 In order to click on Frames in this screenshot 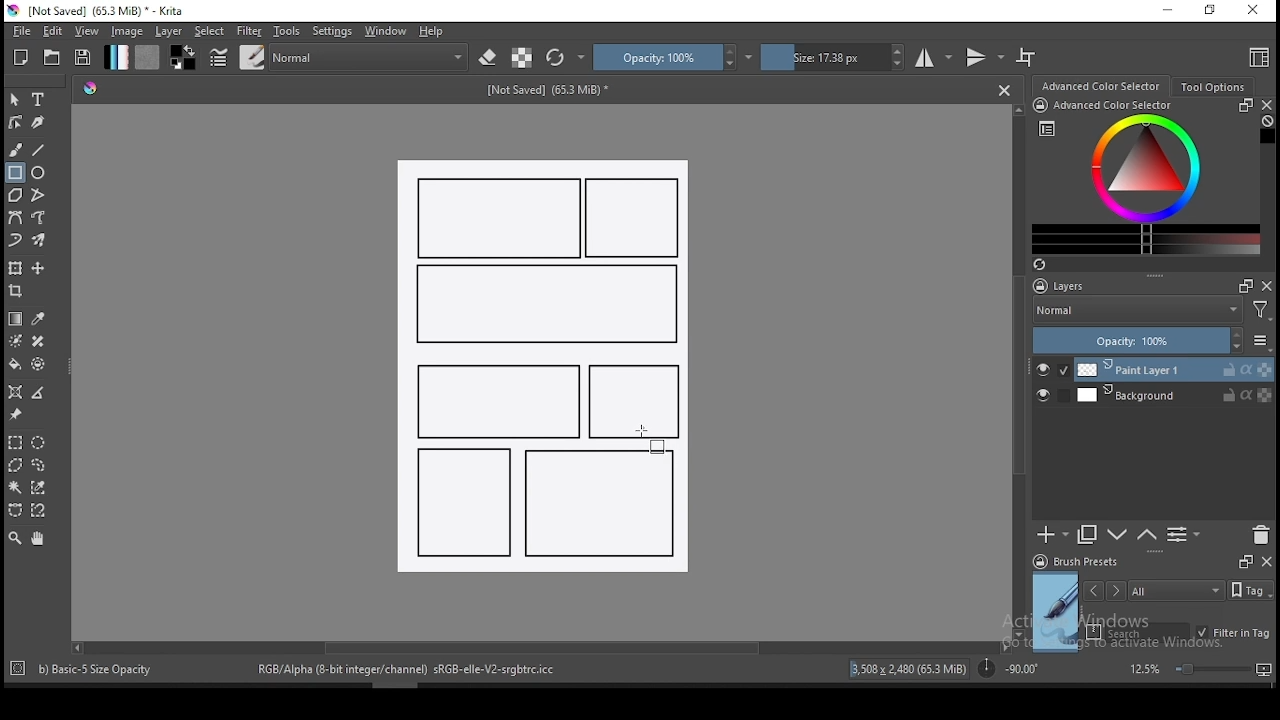, I will do `click(1240, 285)`.